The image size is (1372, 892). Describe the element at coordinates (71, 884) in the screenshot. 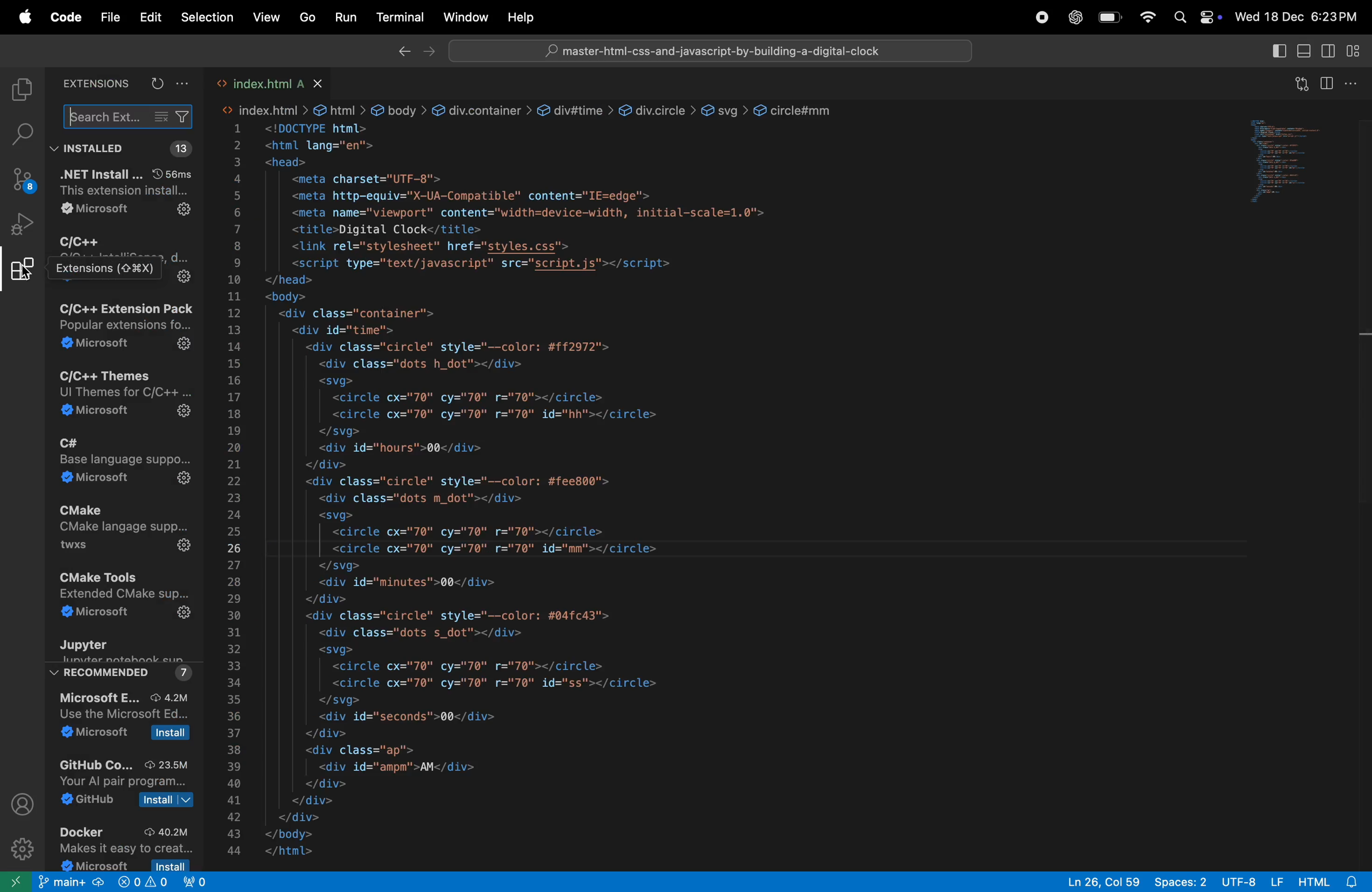

I see `main git` at that location.